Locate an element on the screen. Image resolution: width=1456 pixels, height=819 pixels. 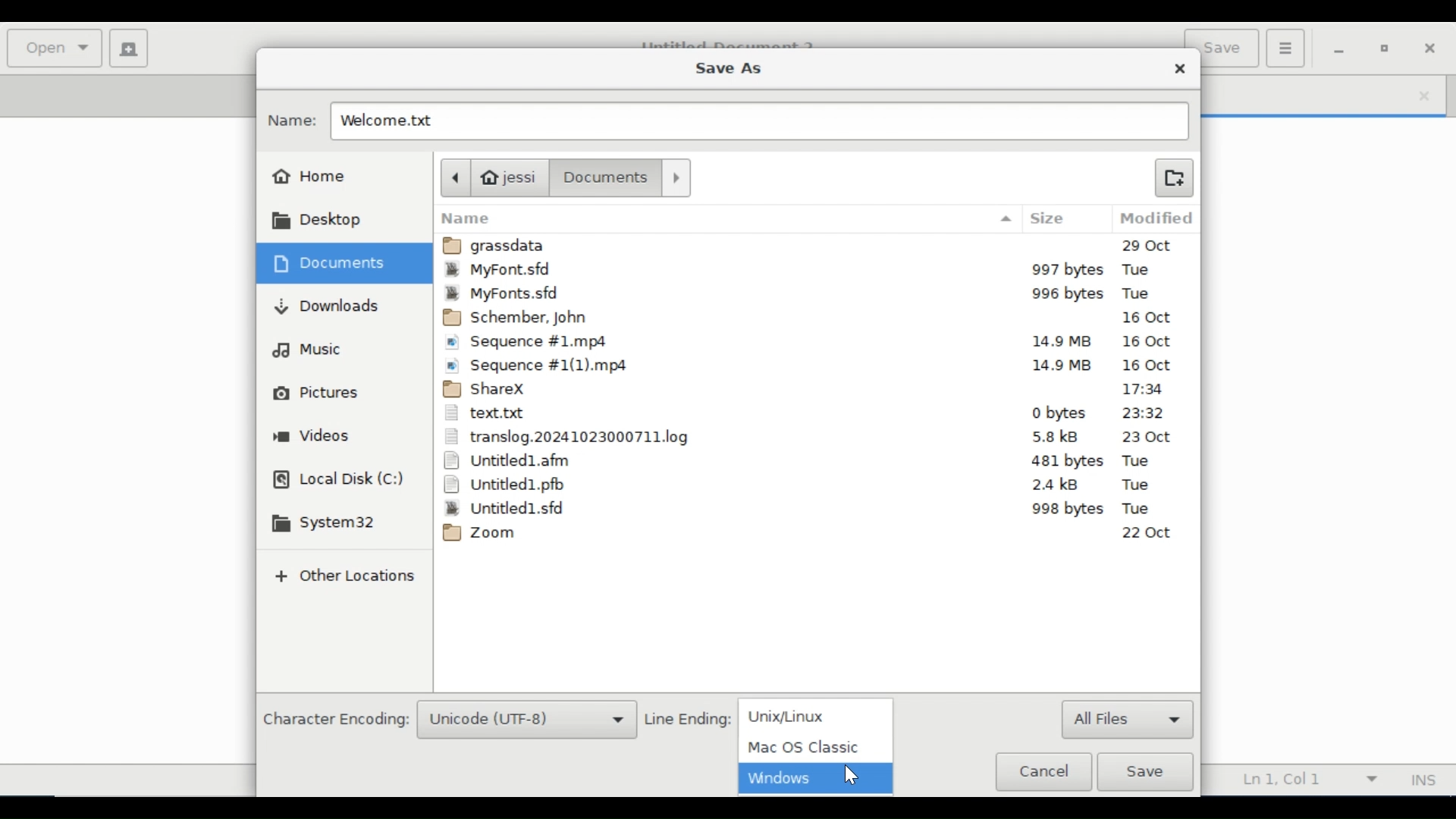
Desktop is located at coordinates (312, 222).